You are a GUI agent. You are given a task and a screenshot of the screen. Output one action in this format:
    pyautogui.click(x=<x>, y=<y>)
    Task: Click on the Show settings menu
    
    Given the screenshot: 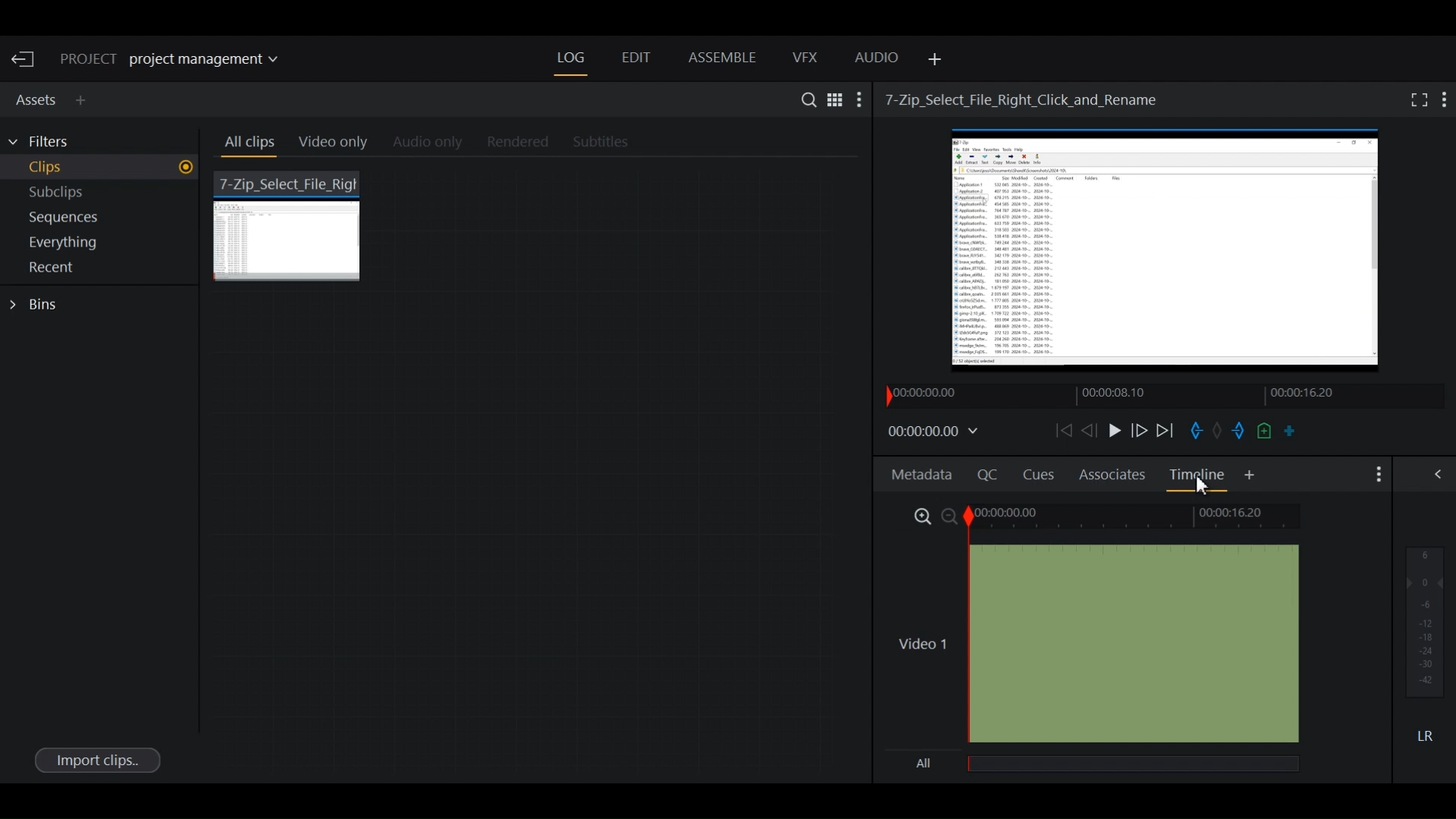 What is the action you would take?
    pyautogui.click(x=1445, y=99)
    